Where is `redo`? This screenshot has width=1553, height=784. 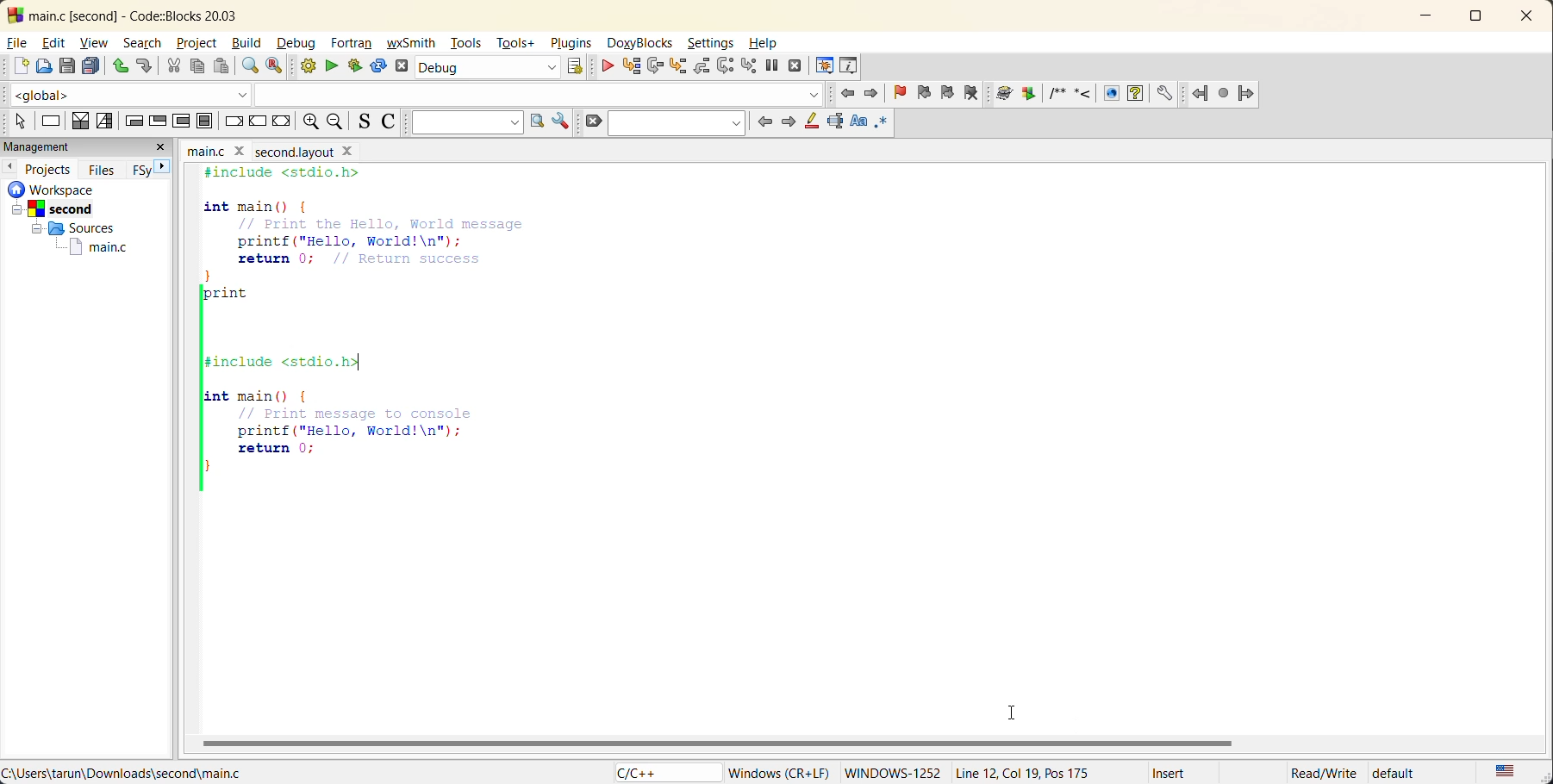
redo is located at coordinates (143, 65).